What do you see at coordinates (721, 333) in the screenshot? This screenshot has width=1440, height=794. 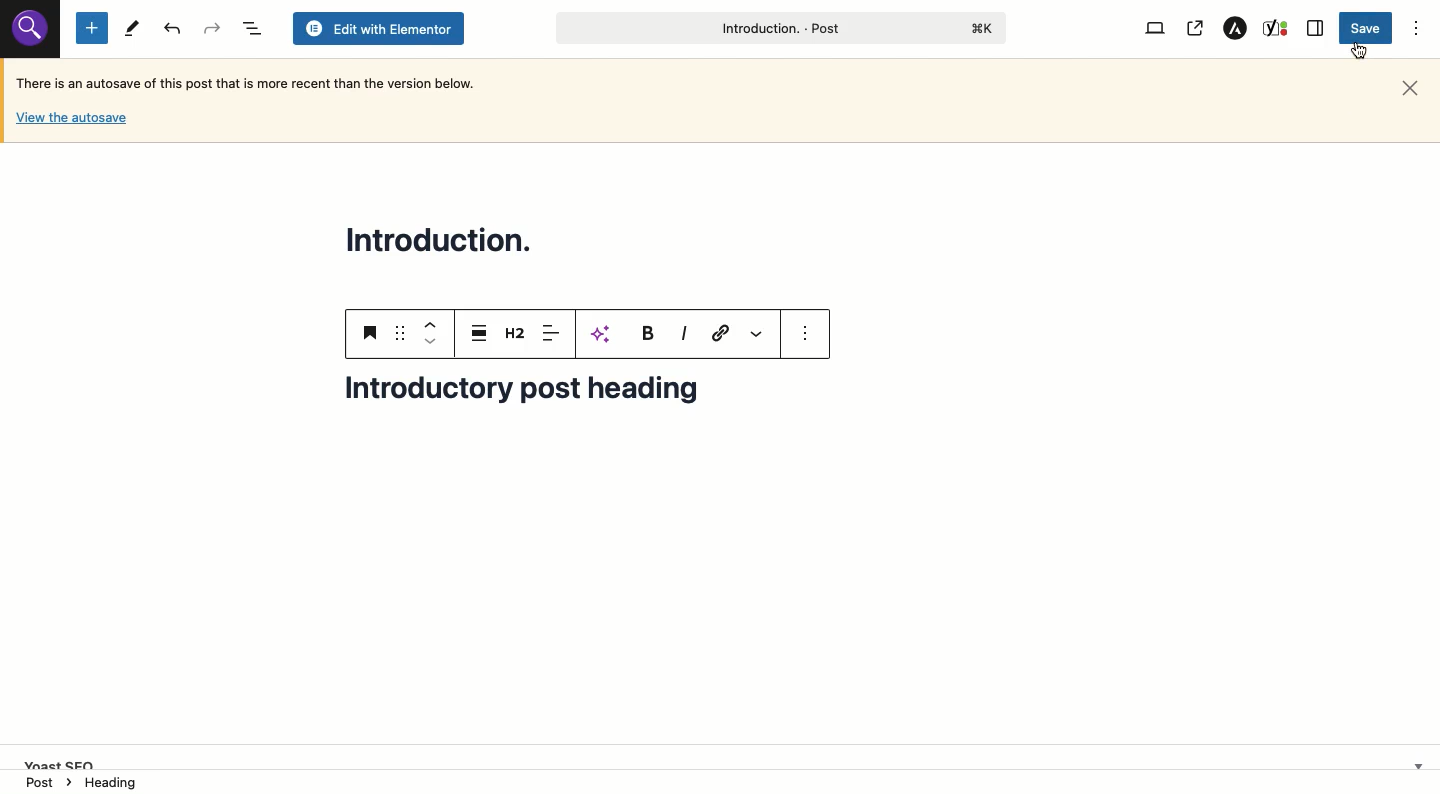 I see `Link` at bounding box center [721, 333].